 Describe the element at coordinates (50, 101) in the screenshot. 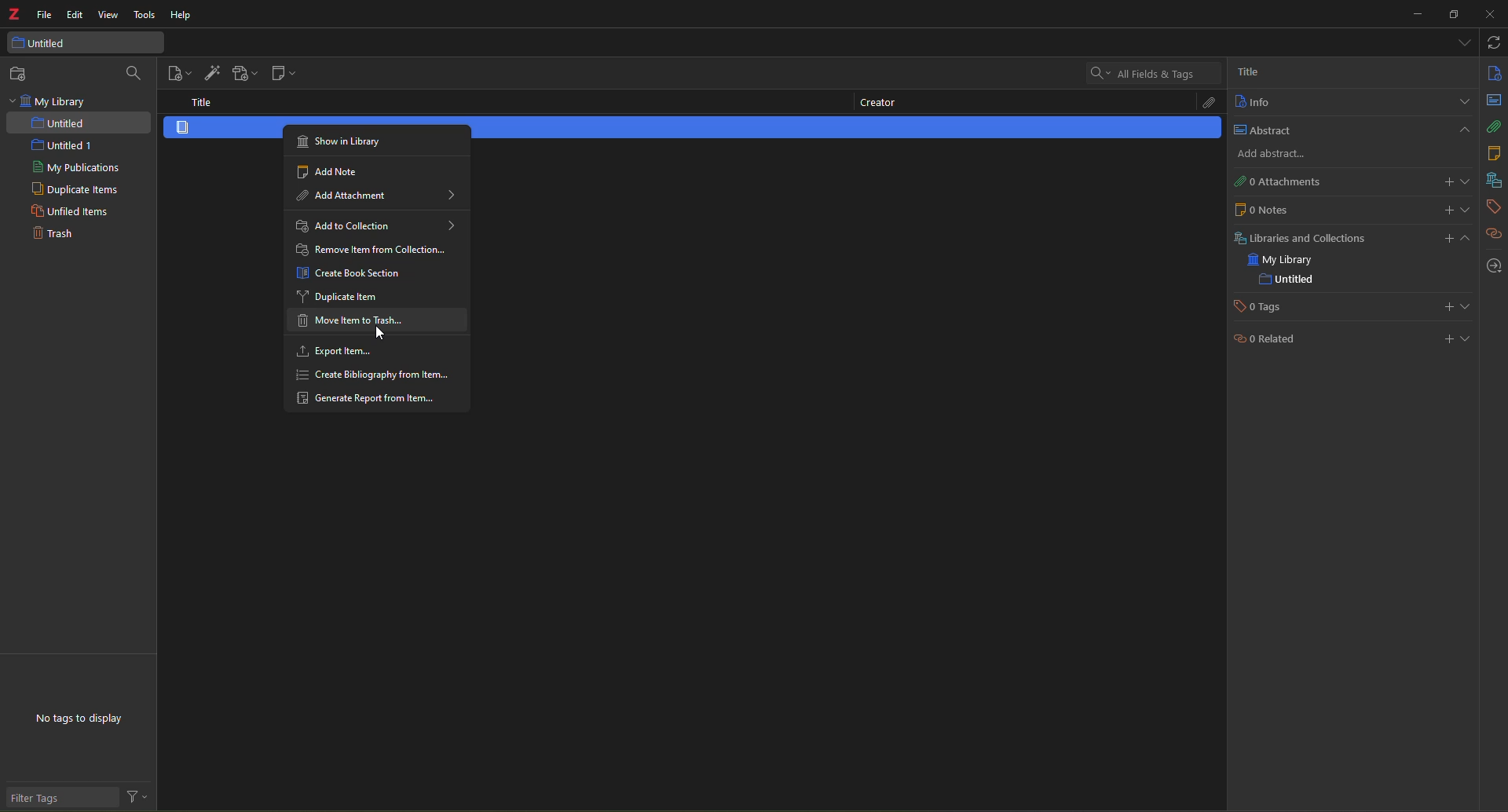

I see `my library` at that location.